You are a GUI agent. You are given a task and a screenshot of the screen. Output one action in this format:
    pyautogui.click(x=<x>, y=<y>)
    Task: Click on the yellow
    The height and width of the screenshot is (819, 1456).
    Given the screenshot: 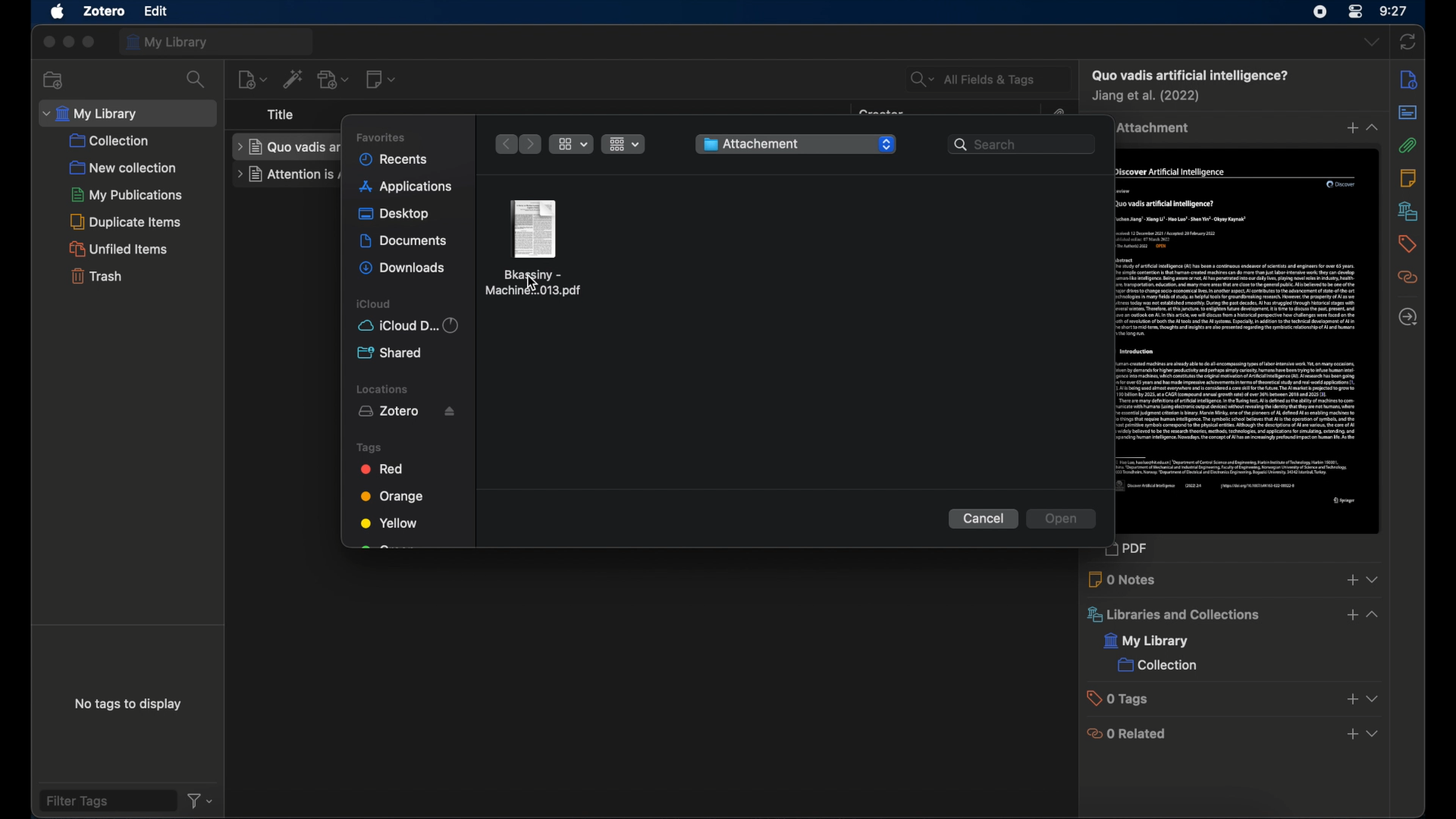 What is the action you would take?
    pyautogui.click(x=389, y=523)
    